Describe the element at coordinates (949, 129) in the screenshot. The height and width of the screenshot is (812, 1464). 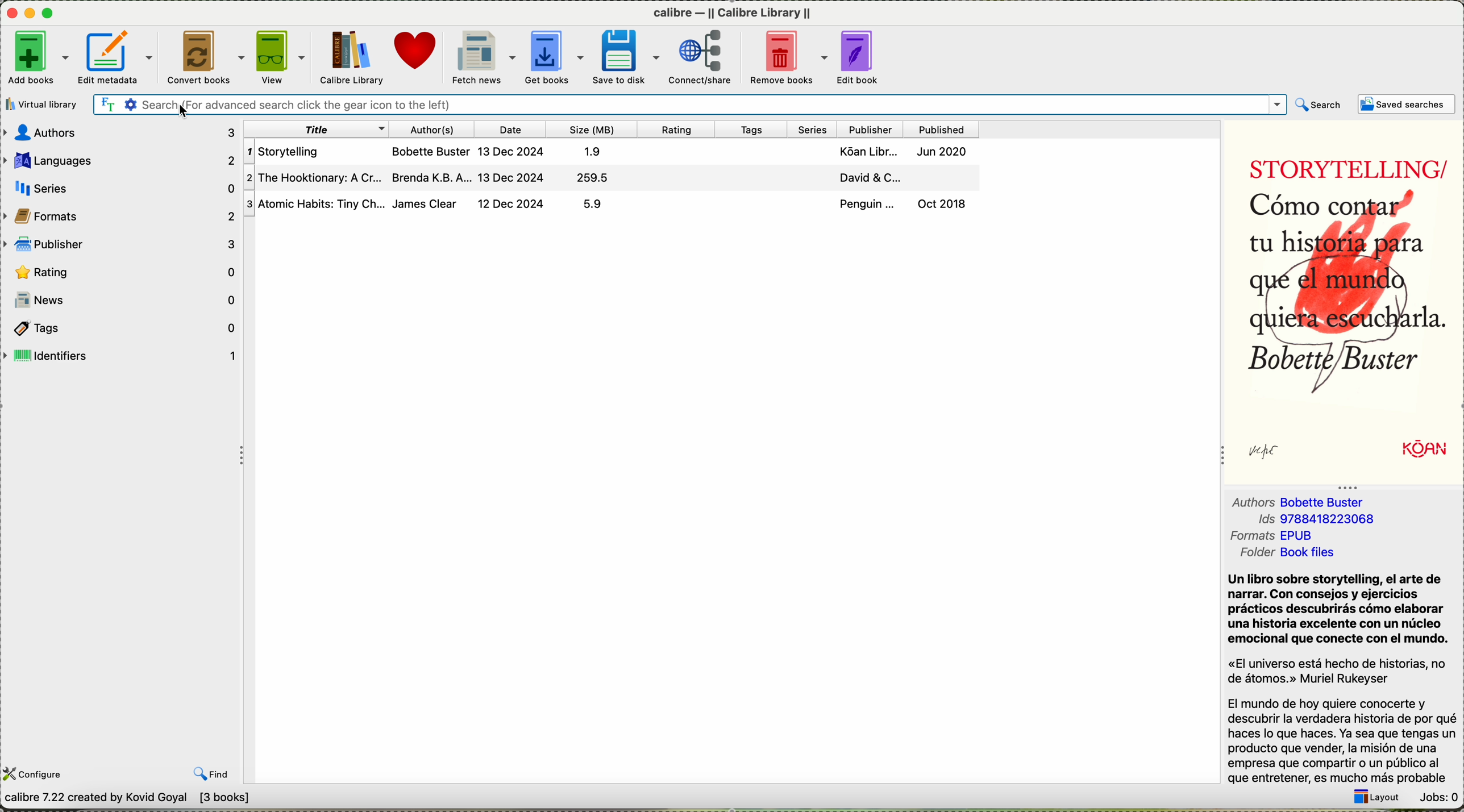
I see `published` at that location.